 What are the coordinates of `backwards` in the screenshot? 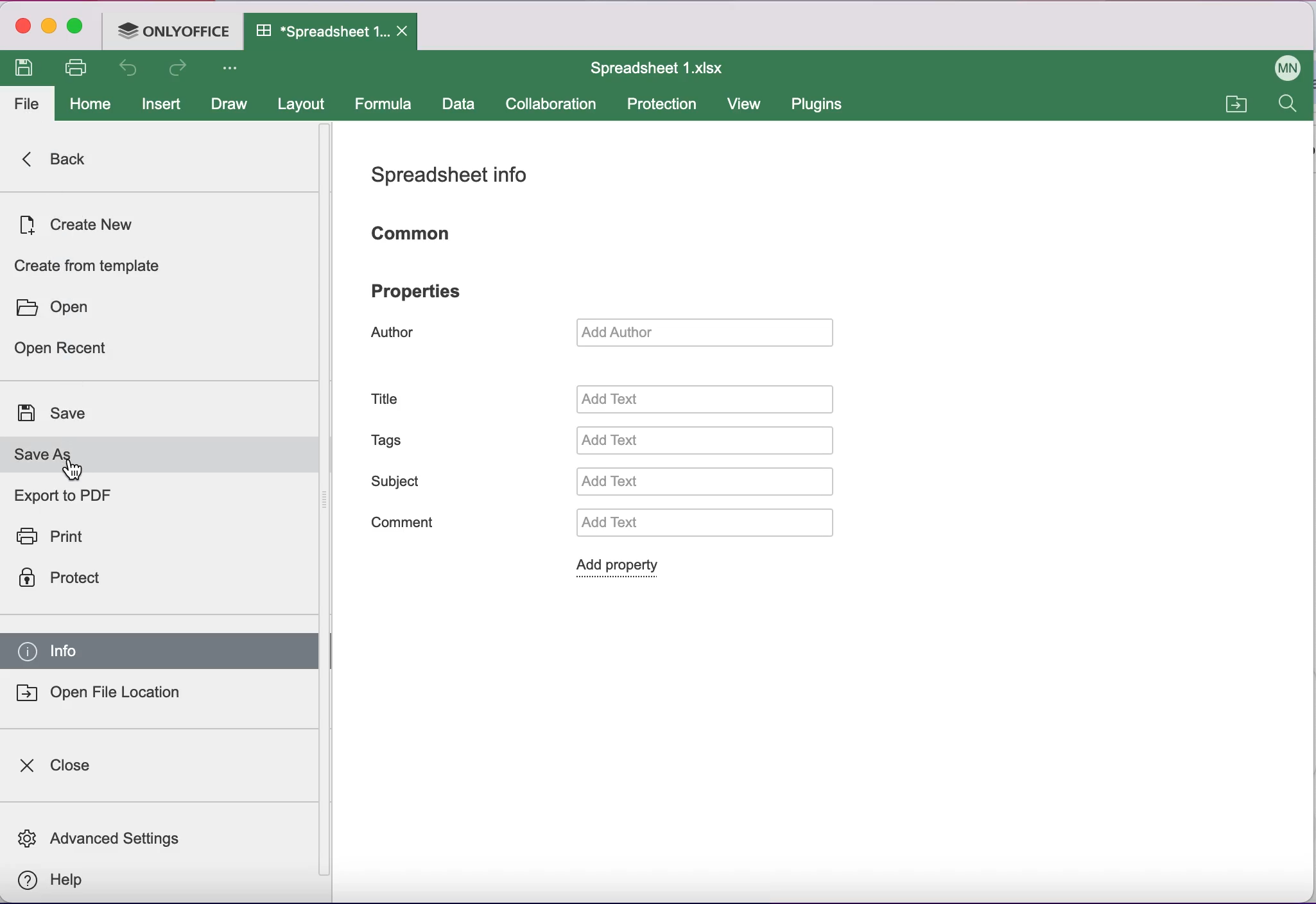 It's located at (126, 70).